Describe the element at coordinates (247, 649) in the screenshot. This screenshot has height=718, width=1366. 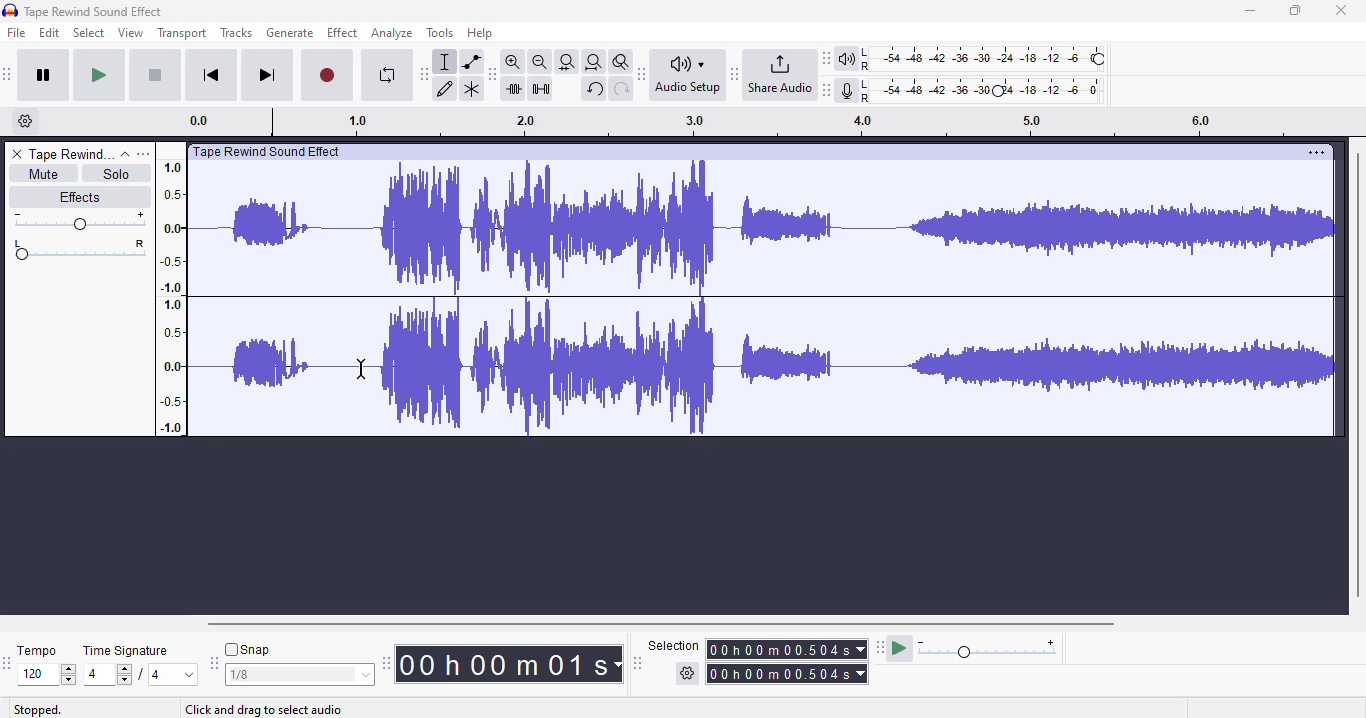
I see `snap` at that location.